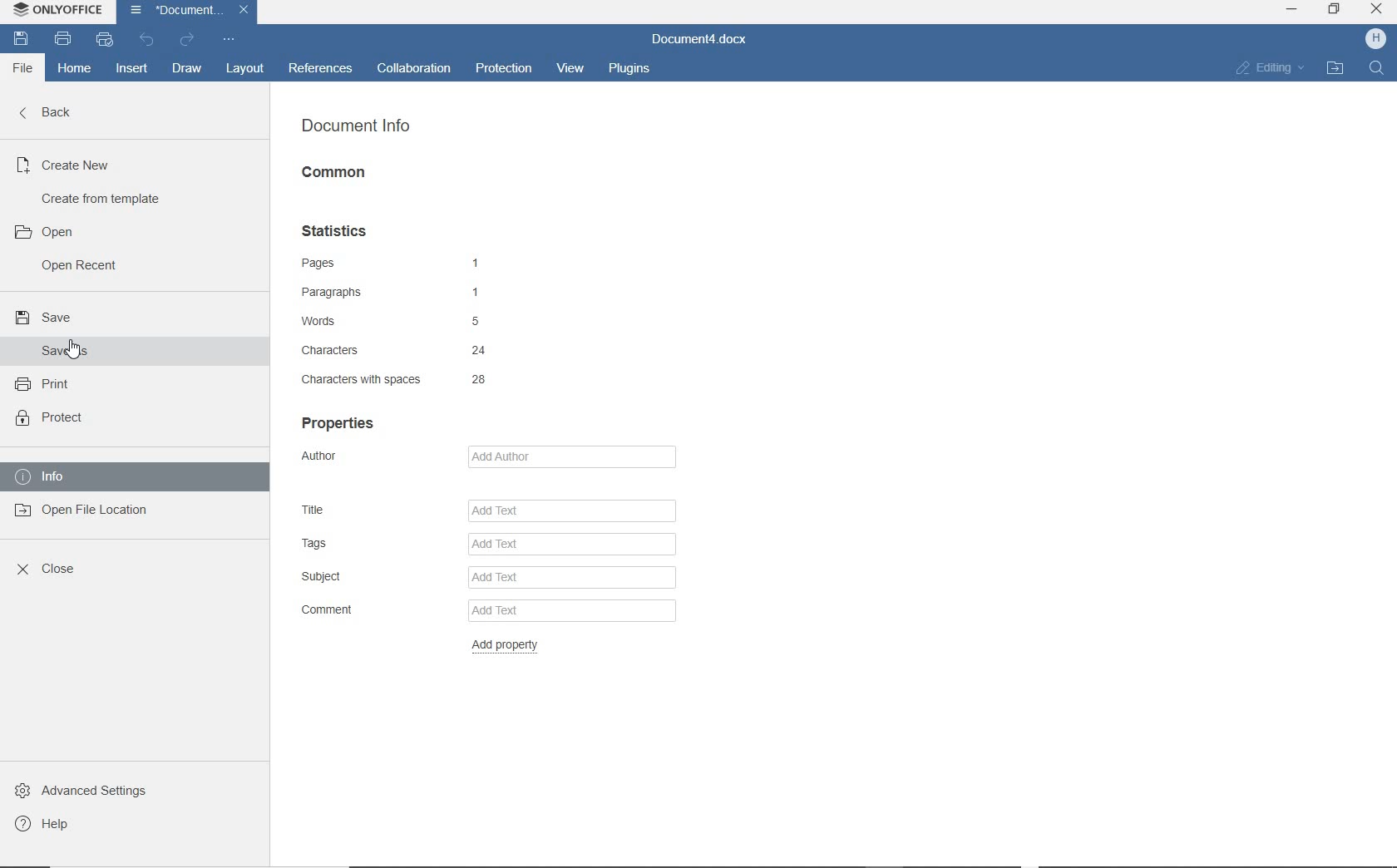 This screenshot has height=868, width=1397. What do you see at coordinates (566, 456) in the screenshot?
I see `Add Author` at bounding box center [566, 456].